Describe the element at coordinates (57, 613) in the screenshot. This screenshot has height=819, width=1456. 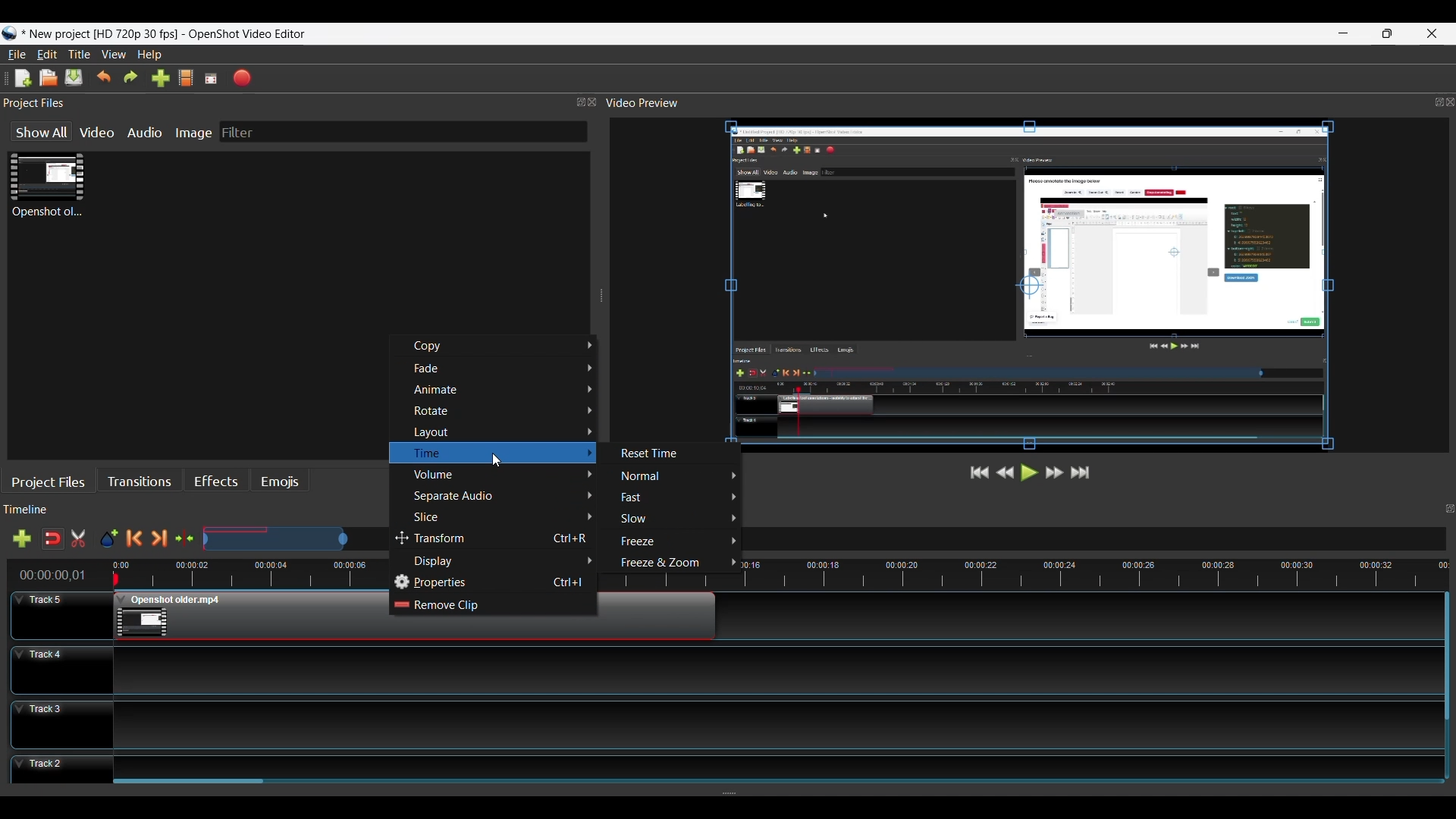
I see `Track Header` at that location.